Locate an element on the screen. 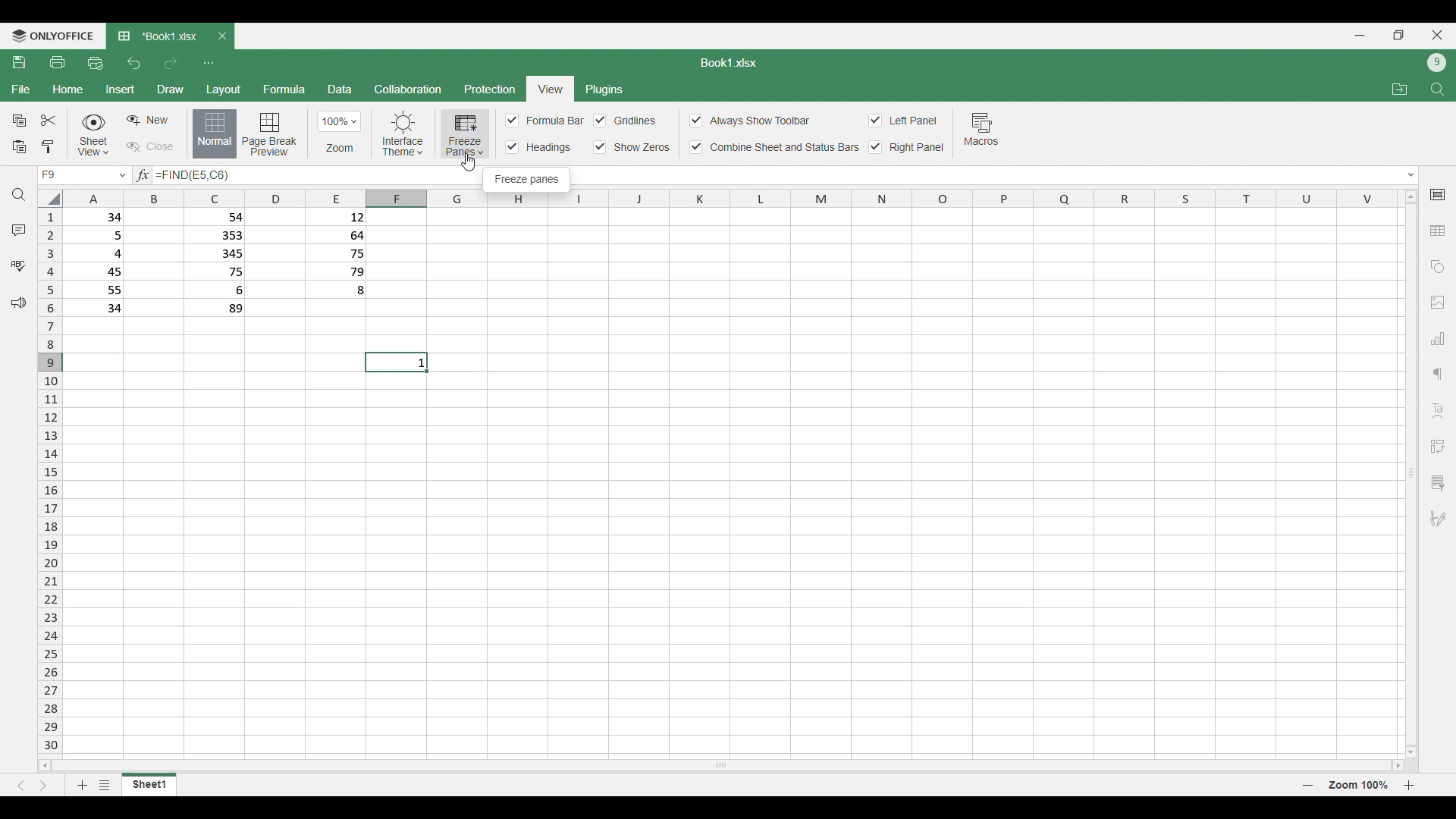  Toggles for left panel is located at coordinates (903, 121).